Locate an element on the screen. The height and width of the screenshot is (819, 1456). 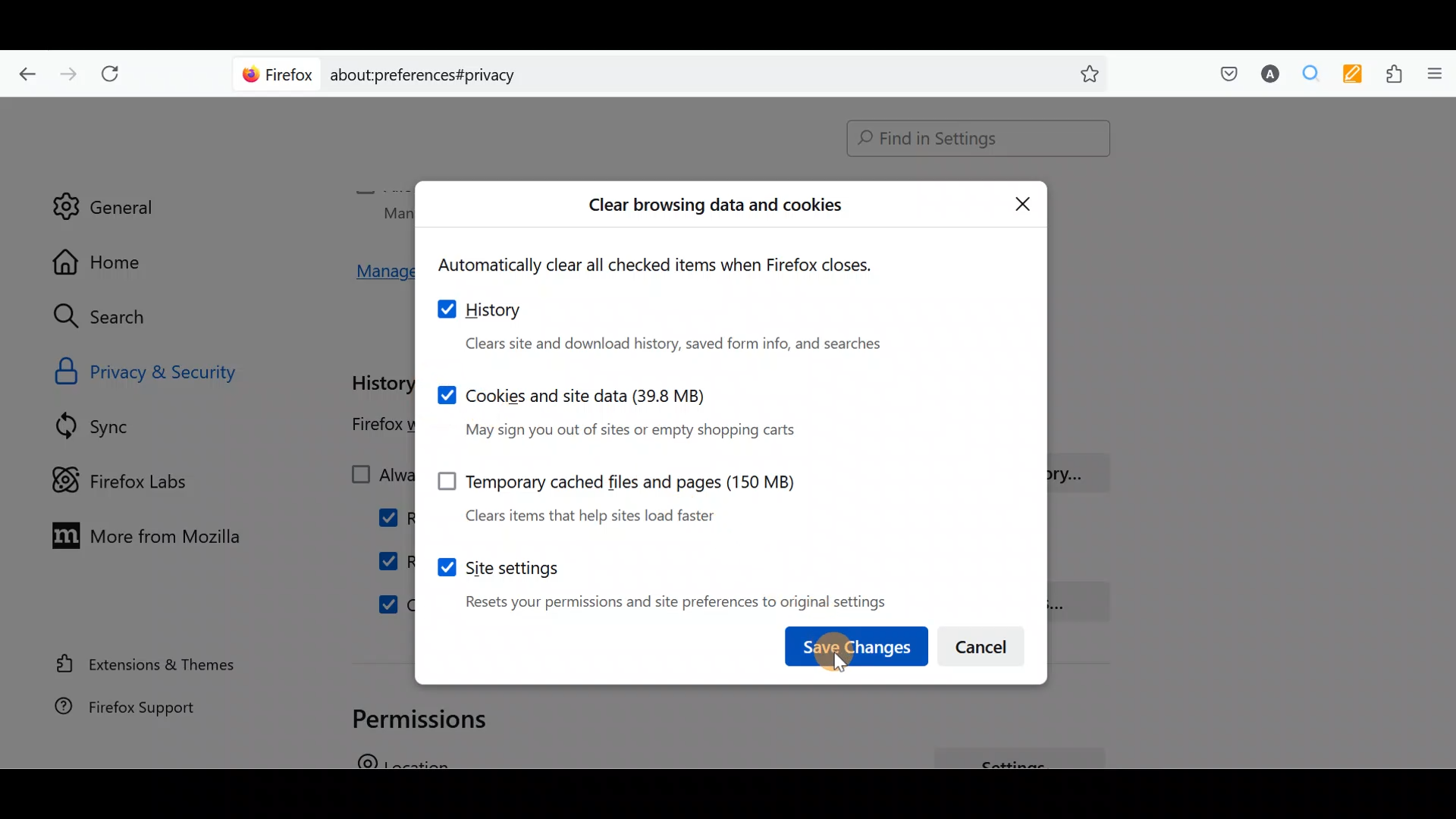
Search bar is located at coordinates (971, 140).